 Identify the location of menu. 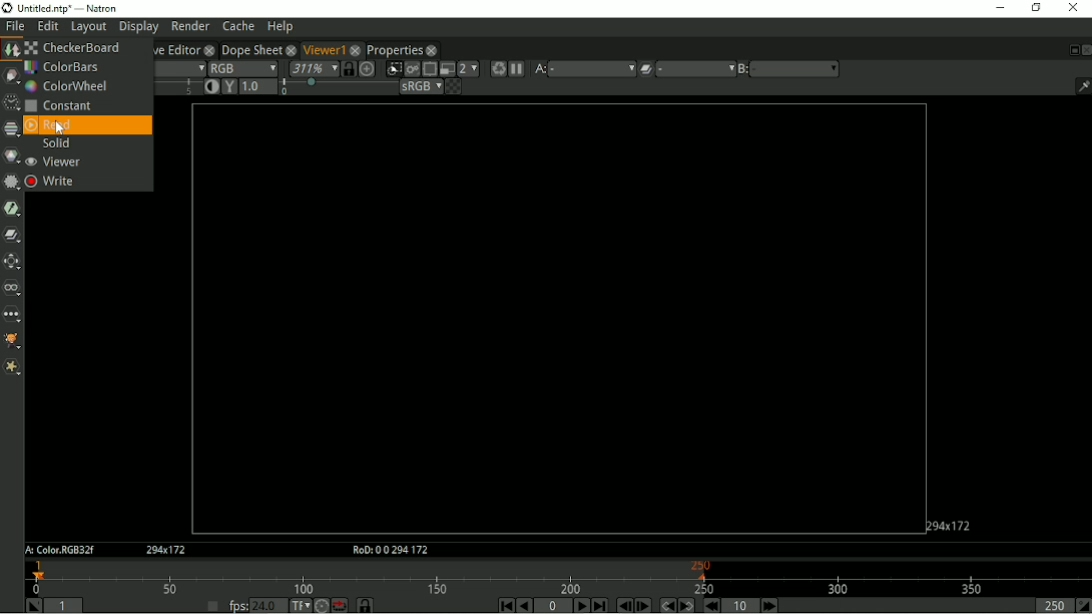
(695, 69).